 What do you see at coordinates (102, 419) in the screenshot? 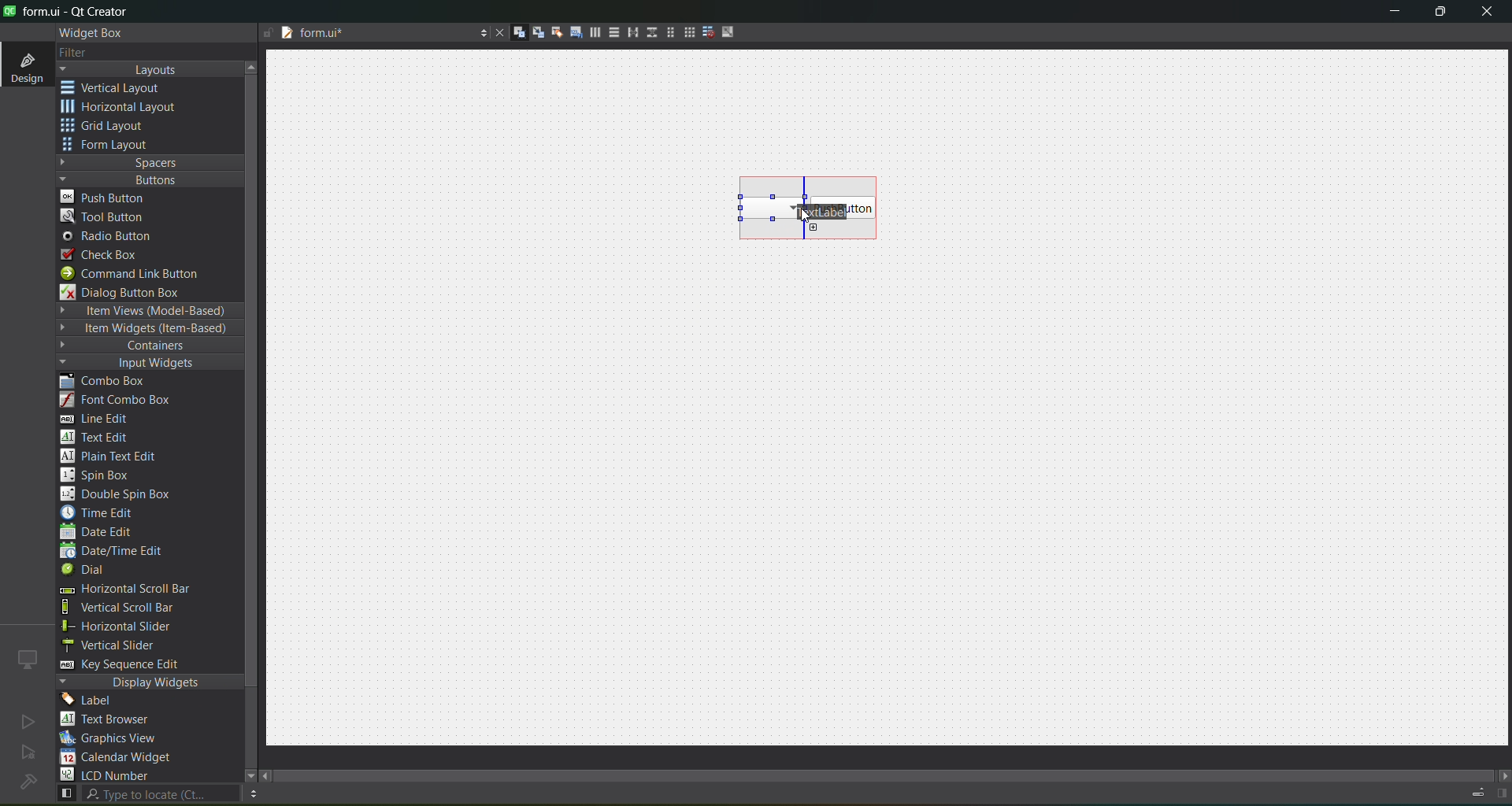
I see `line edit ` at bounding box center [102, 419].